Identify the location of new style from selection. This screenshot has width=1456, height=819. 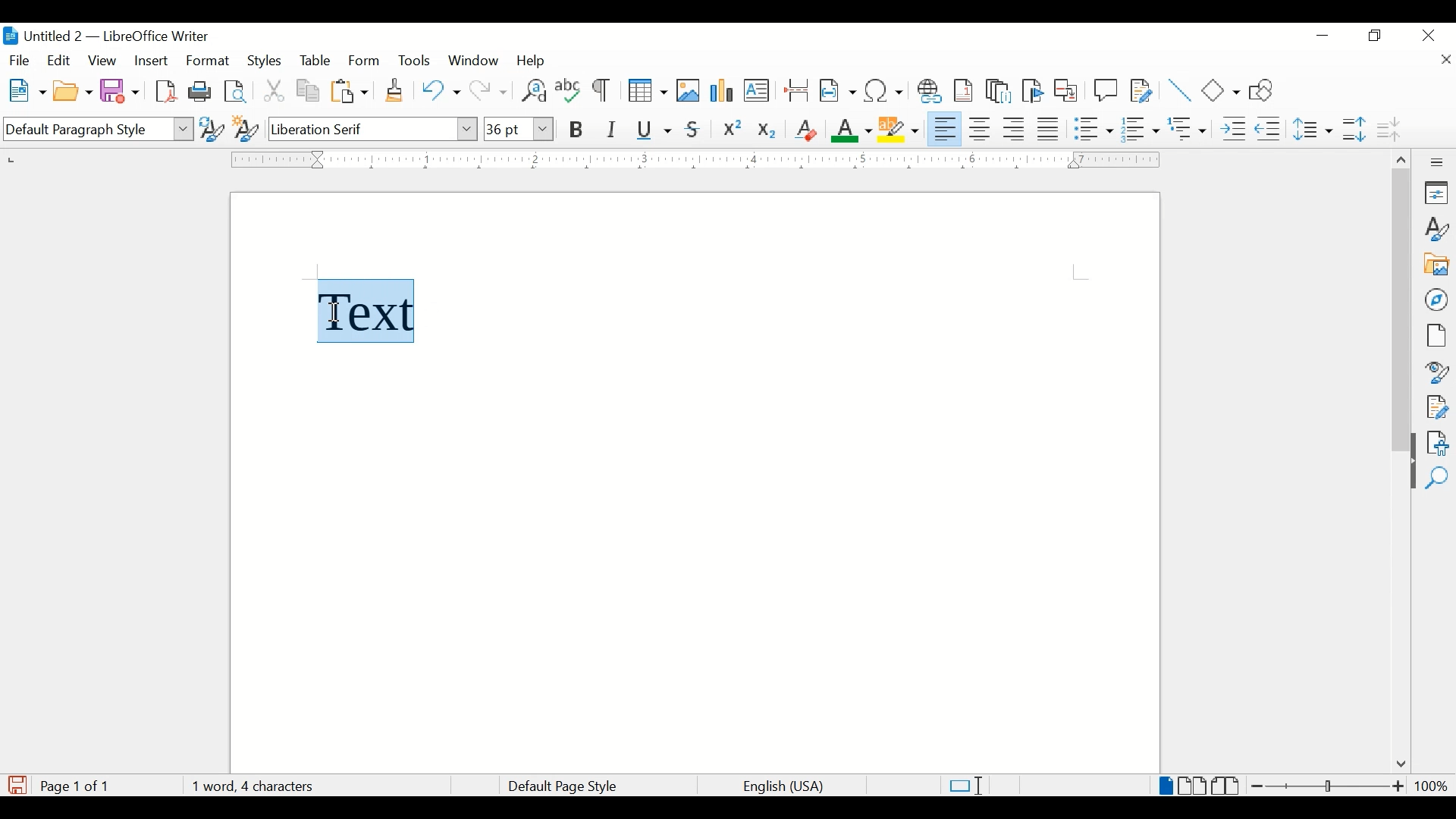
(246, 126).